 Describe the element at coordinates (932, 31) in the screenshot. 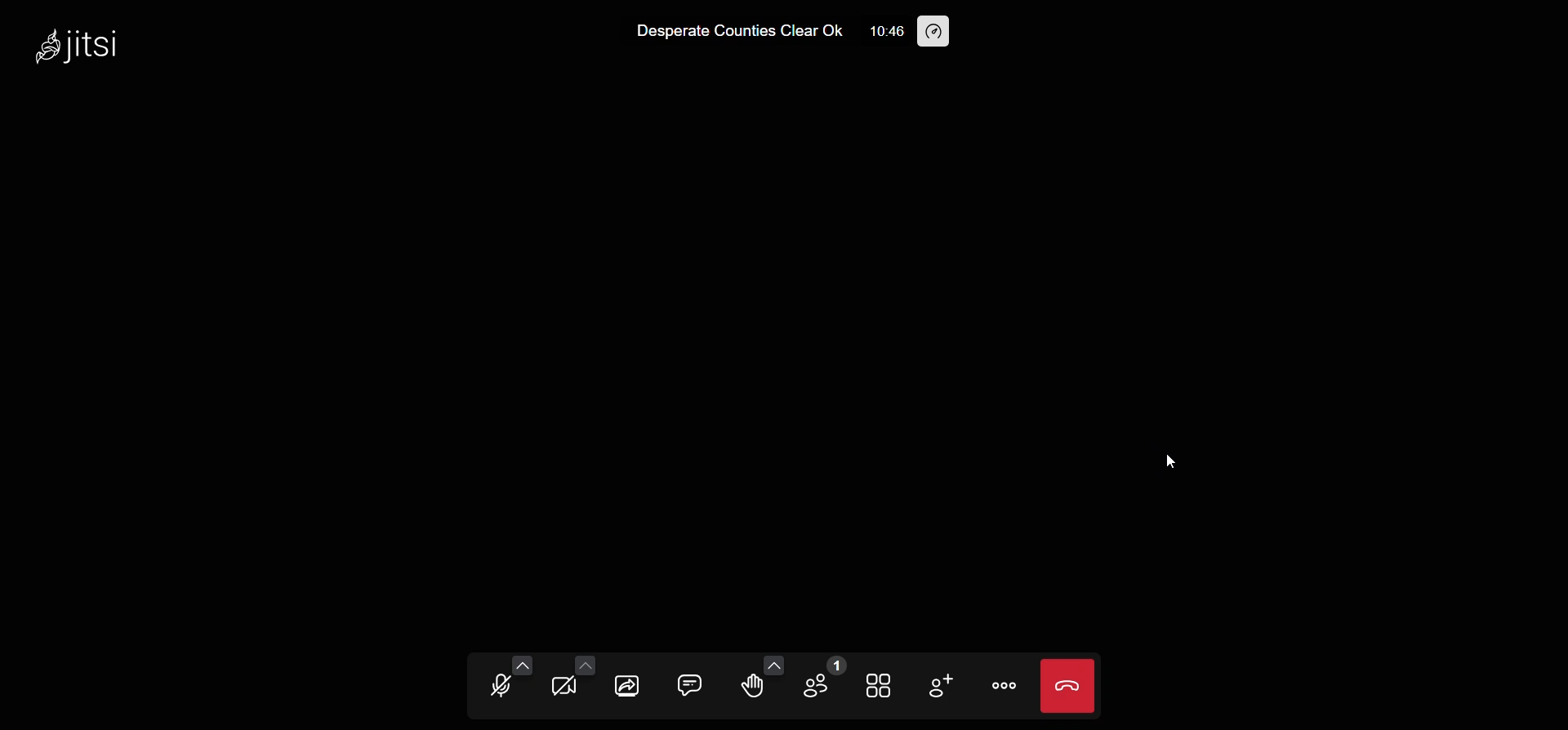

I see `performance setting` at that location.